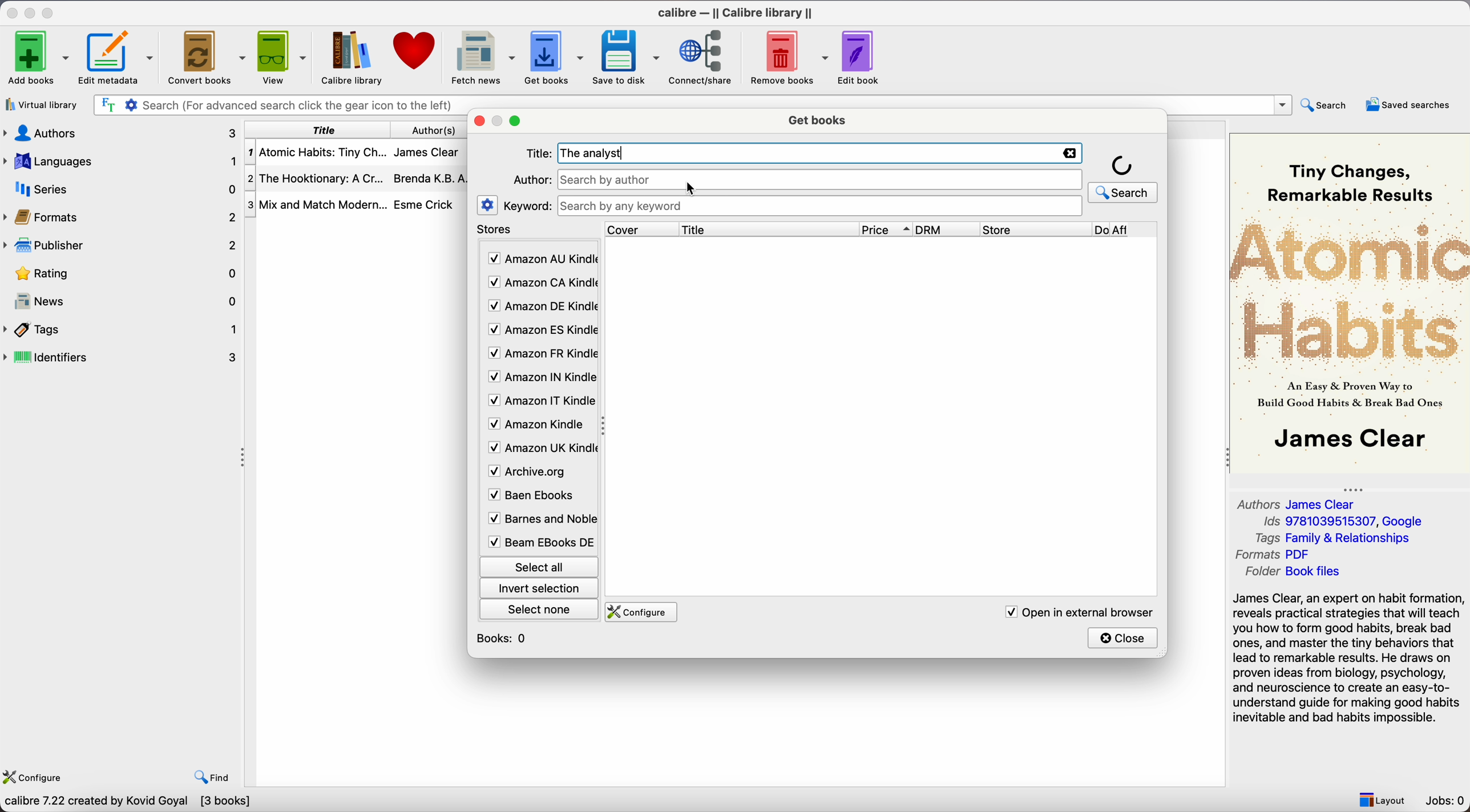 Image resolution: width=1470 pixels, height=812 pixels. What do you see at coordinates (643, 612) in the screenshot?
I see `configure` at bounding box center [643, 612].